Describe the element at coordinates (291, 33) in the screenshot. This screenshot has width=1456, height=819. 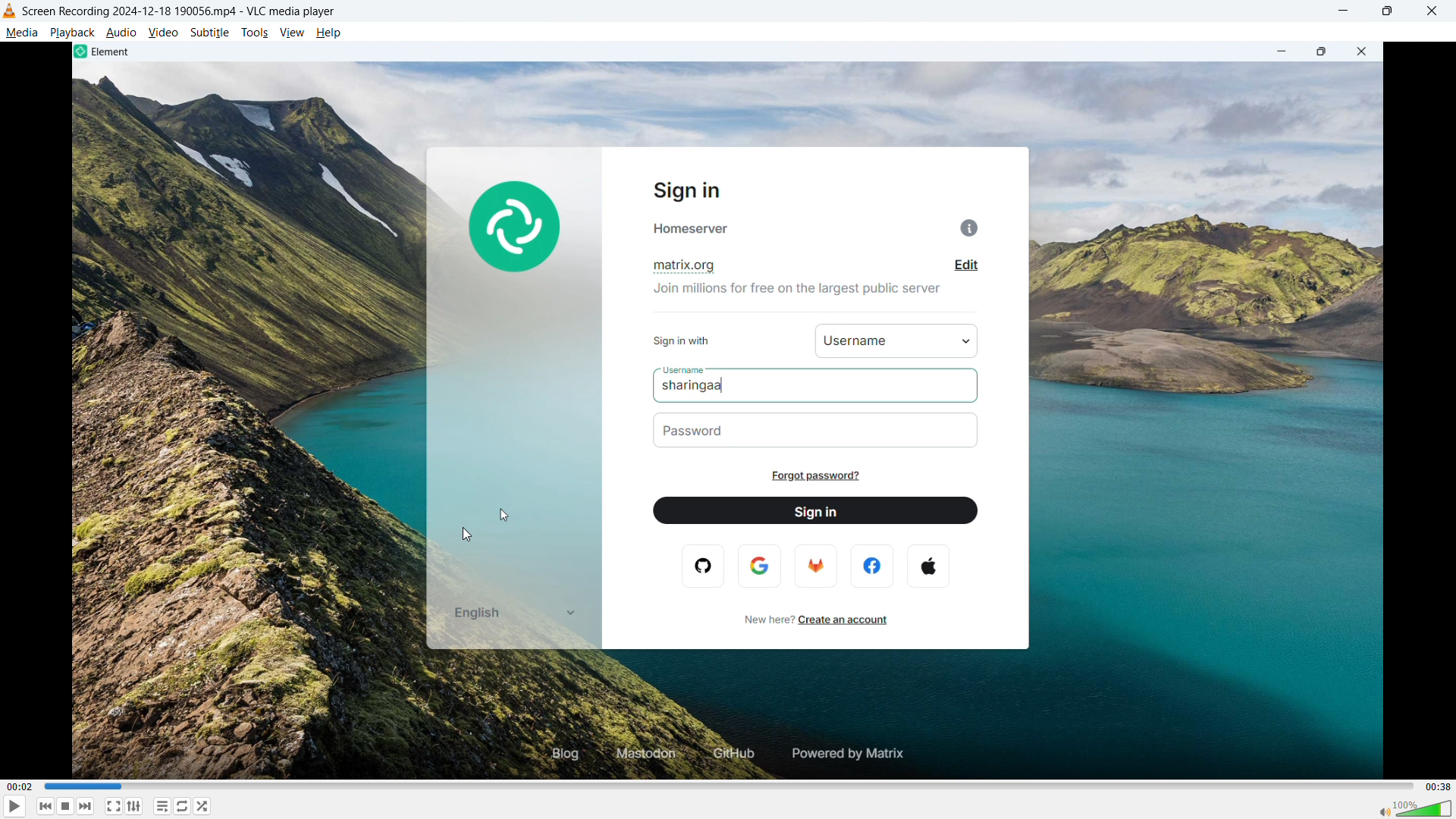
I see `View ` at that location.